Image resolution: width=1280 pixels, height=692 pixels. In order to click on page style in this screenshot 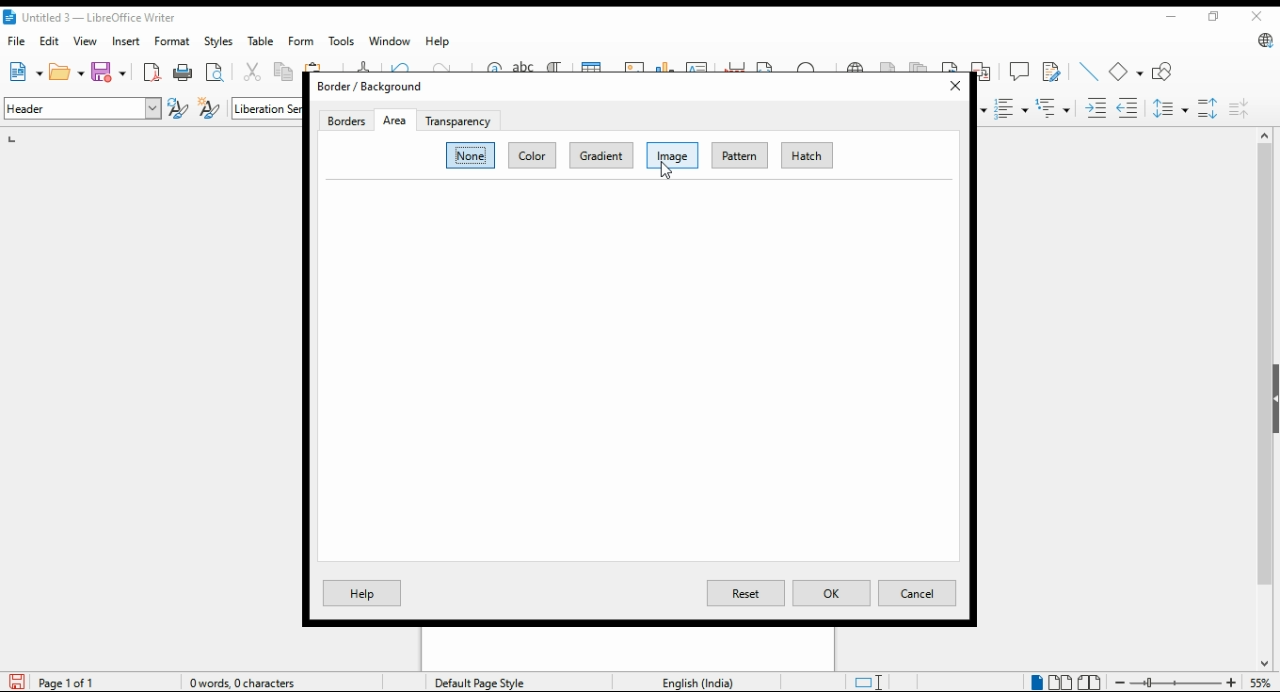, I will do `click(484, 682)`.